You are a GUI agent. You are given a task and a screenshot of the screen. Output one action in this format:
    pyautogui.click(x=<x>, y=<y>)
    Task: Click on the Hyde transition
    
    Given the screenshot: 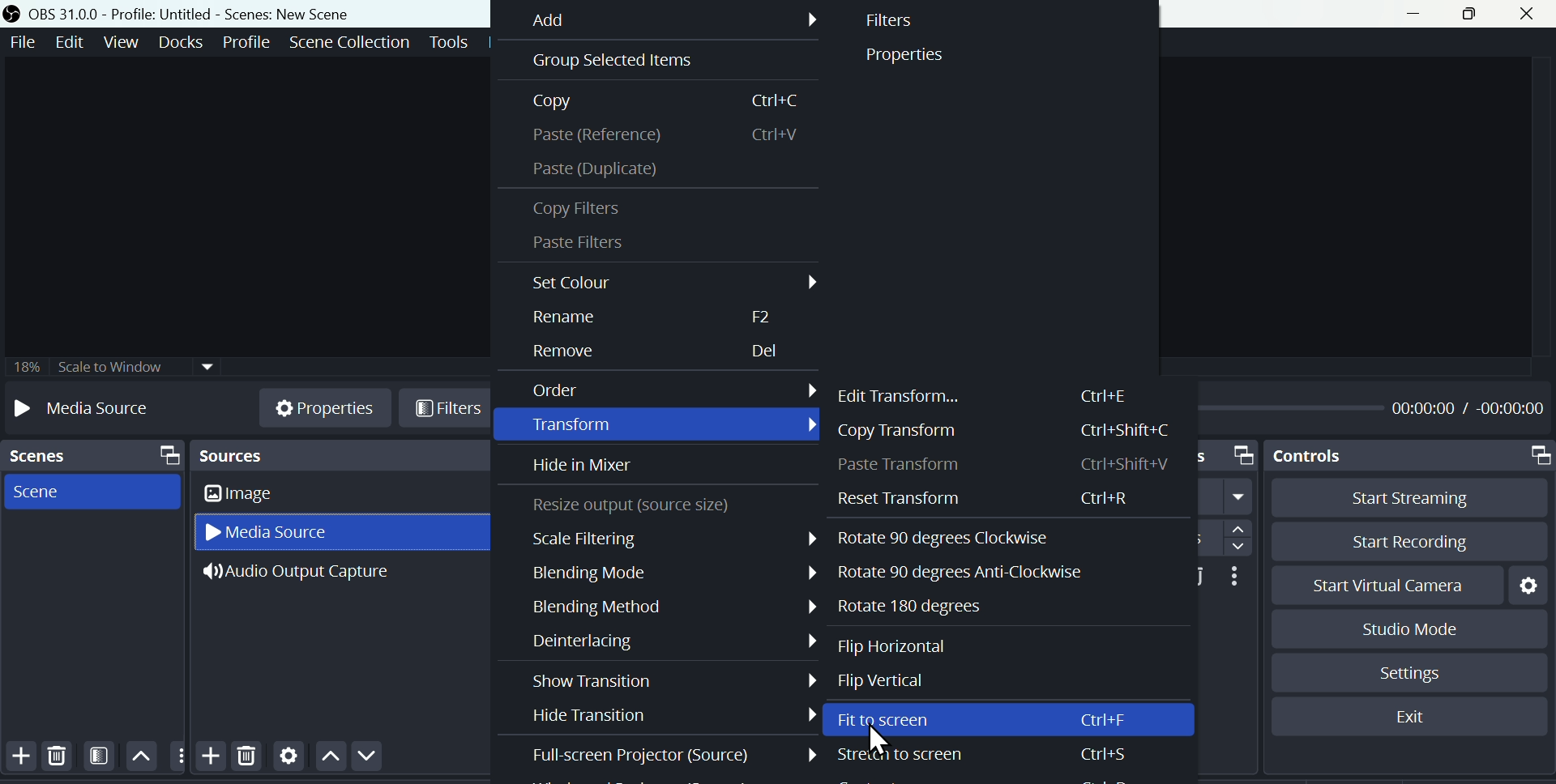 What is the action you would take?
    pyautogui.click(x=669, y=717)
    